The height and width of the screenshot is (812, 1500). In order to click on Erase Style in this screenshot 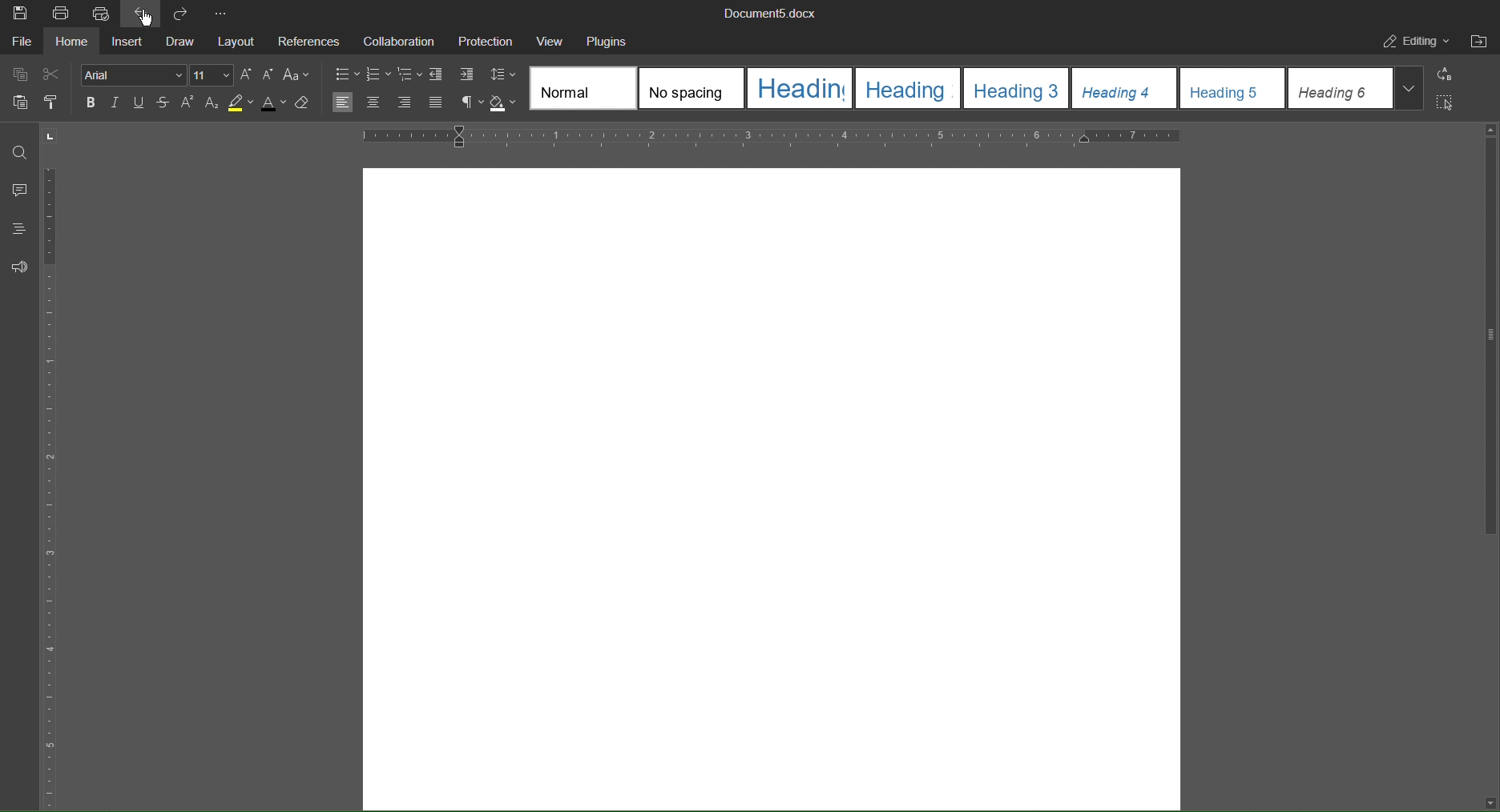, I will do `click(305, 102)`.